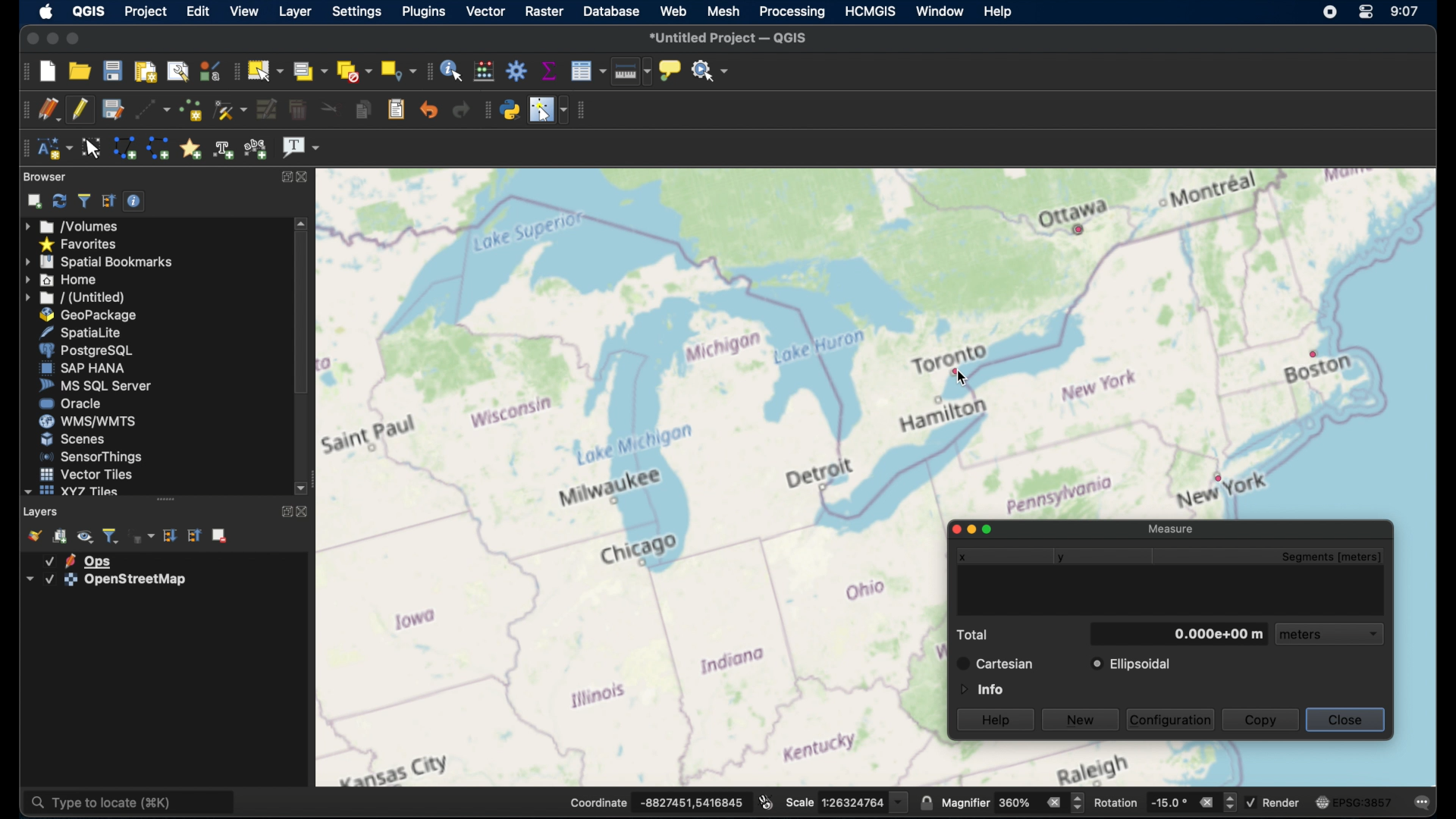  What do you see at coordinates (197, 11) in the screenshot?
I see `edit` at bounding box center [197, 11].